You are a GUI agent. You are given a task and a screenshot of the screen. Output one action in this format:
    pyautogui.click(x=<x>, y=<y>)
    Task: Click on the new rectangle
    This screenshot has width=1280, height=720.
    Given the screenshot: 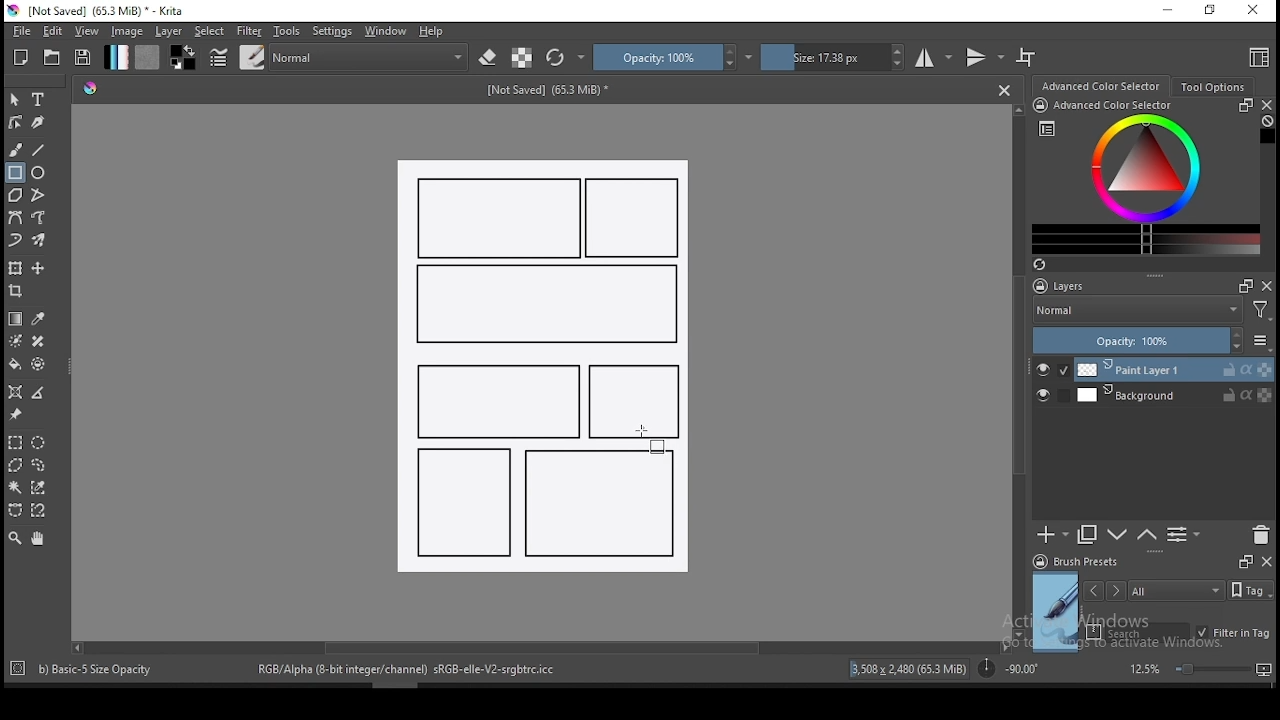 What is the action you would take?
    pyautogui.click(x=634, y=402)
    